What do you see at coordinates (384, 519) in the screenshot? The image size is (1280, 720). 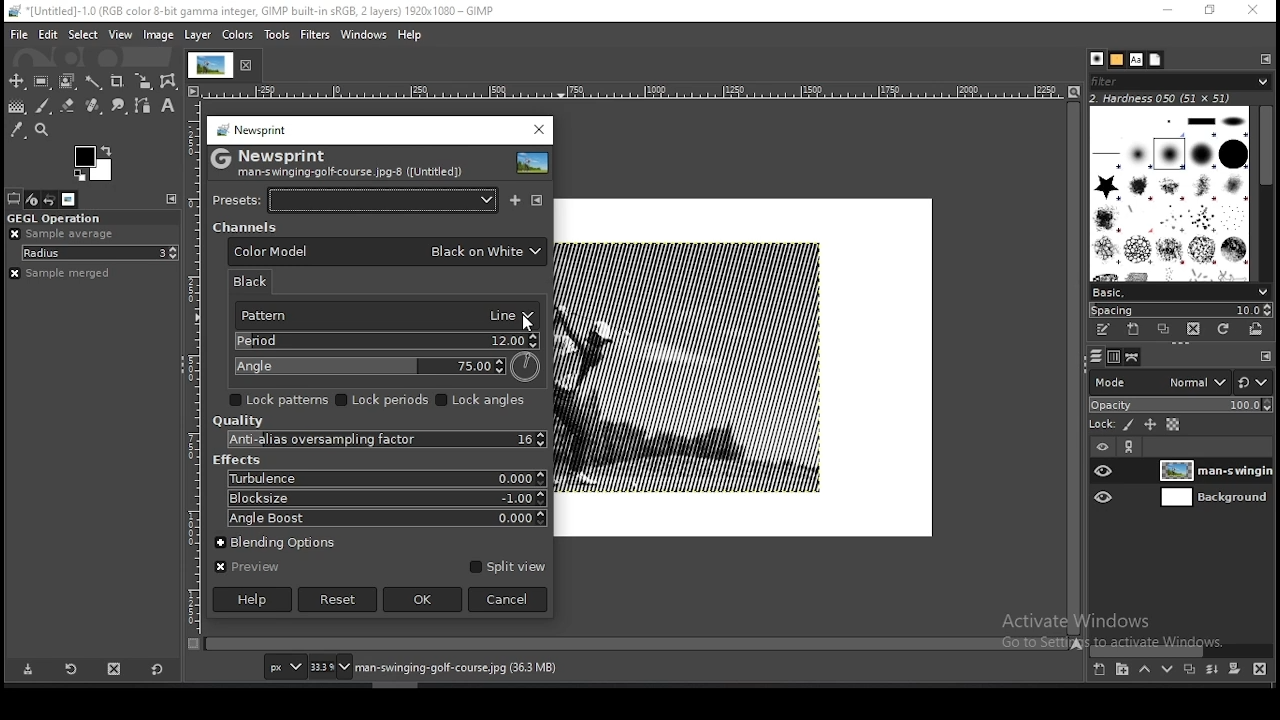 I see `angle boost` at bounding box center [384, 519].